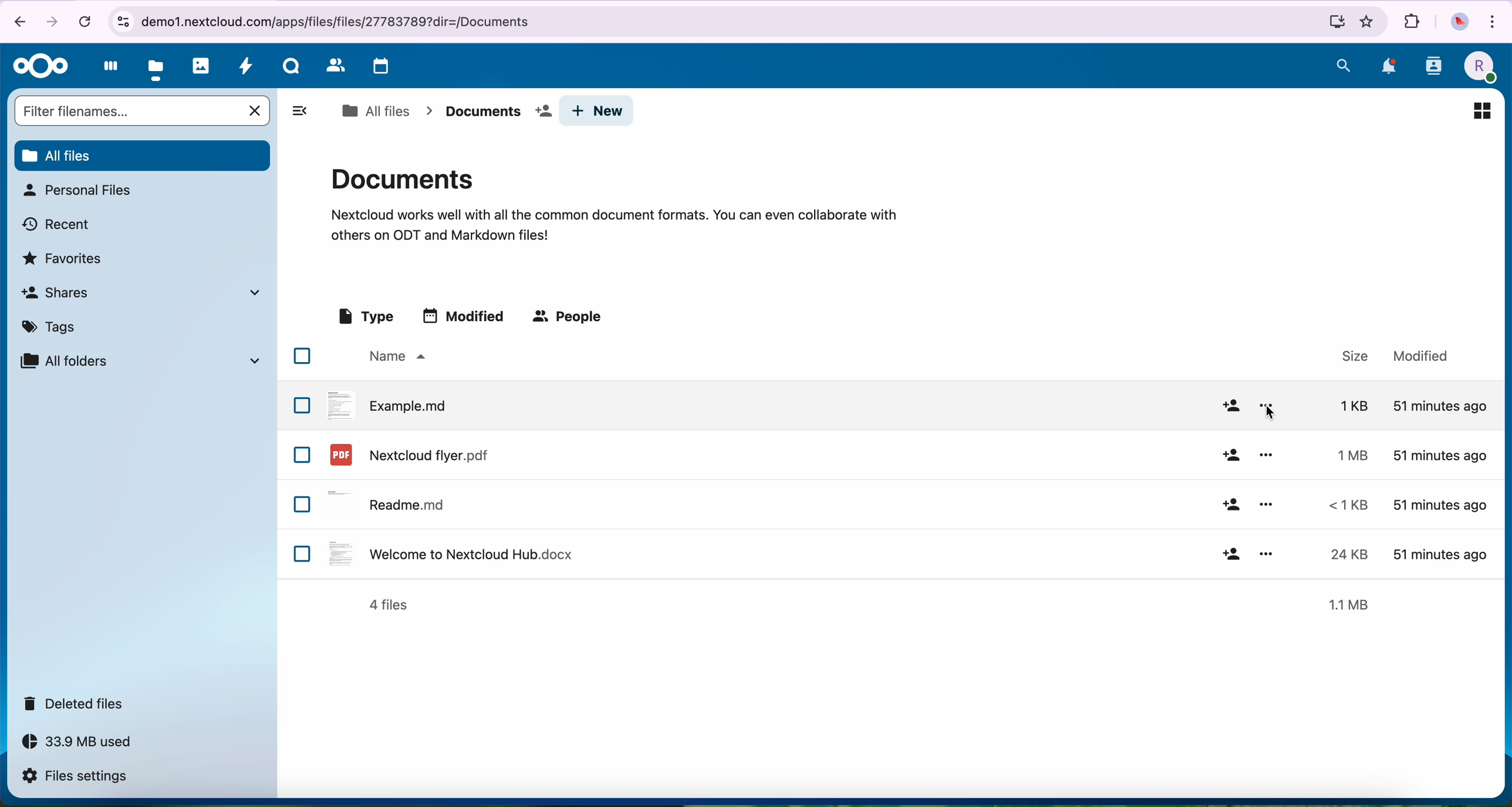 This screenshot has width=1512, height=807. Describe the element at coordinates (1439, 505) in the screenshot. I see `modified` at that location.